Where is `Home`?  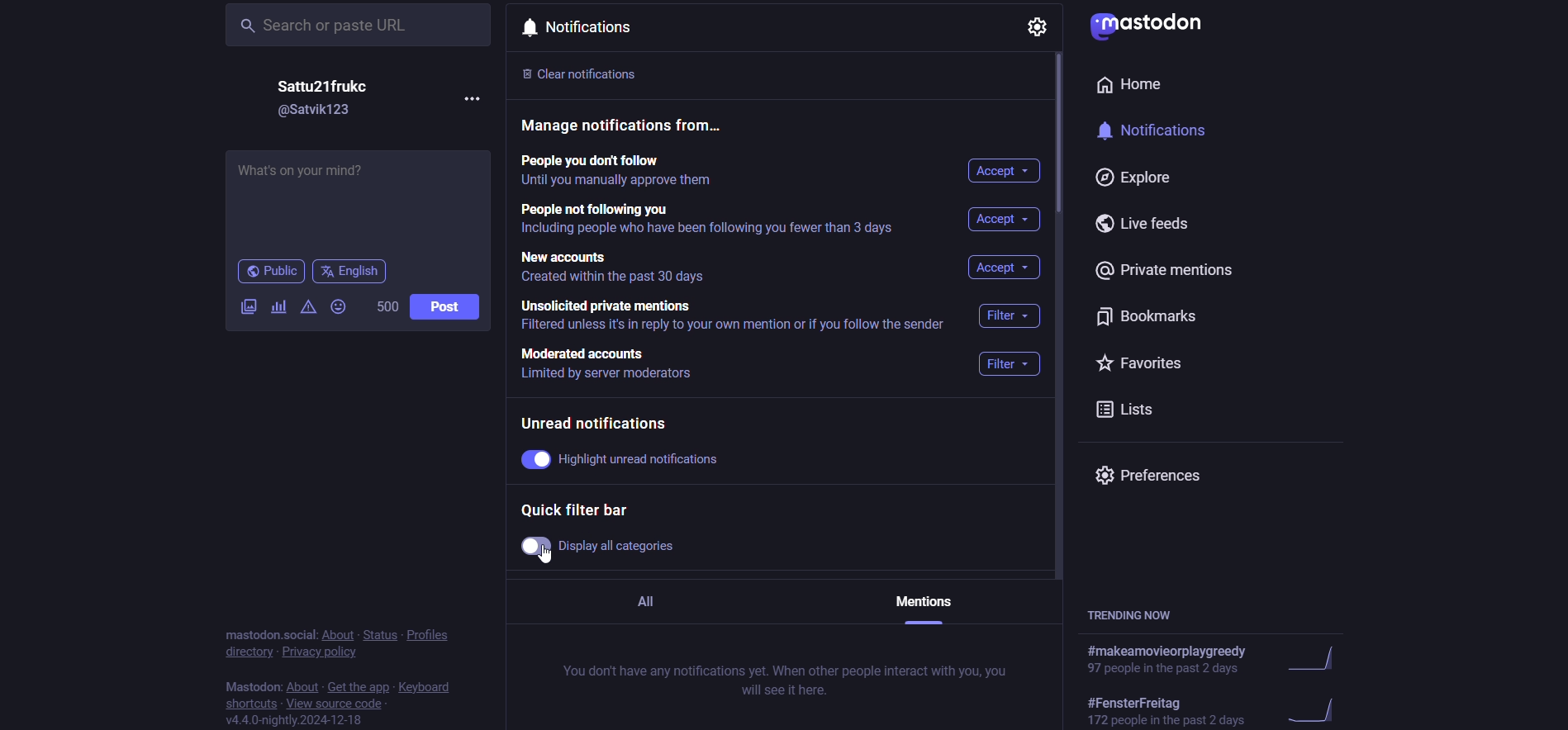 Home is located at coordinates (1133, 84).